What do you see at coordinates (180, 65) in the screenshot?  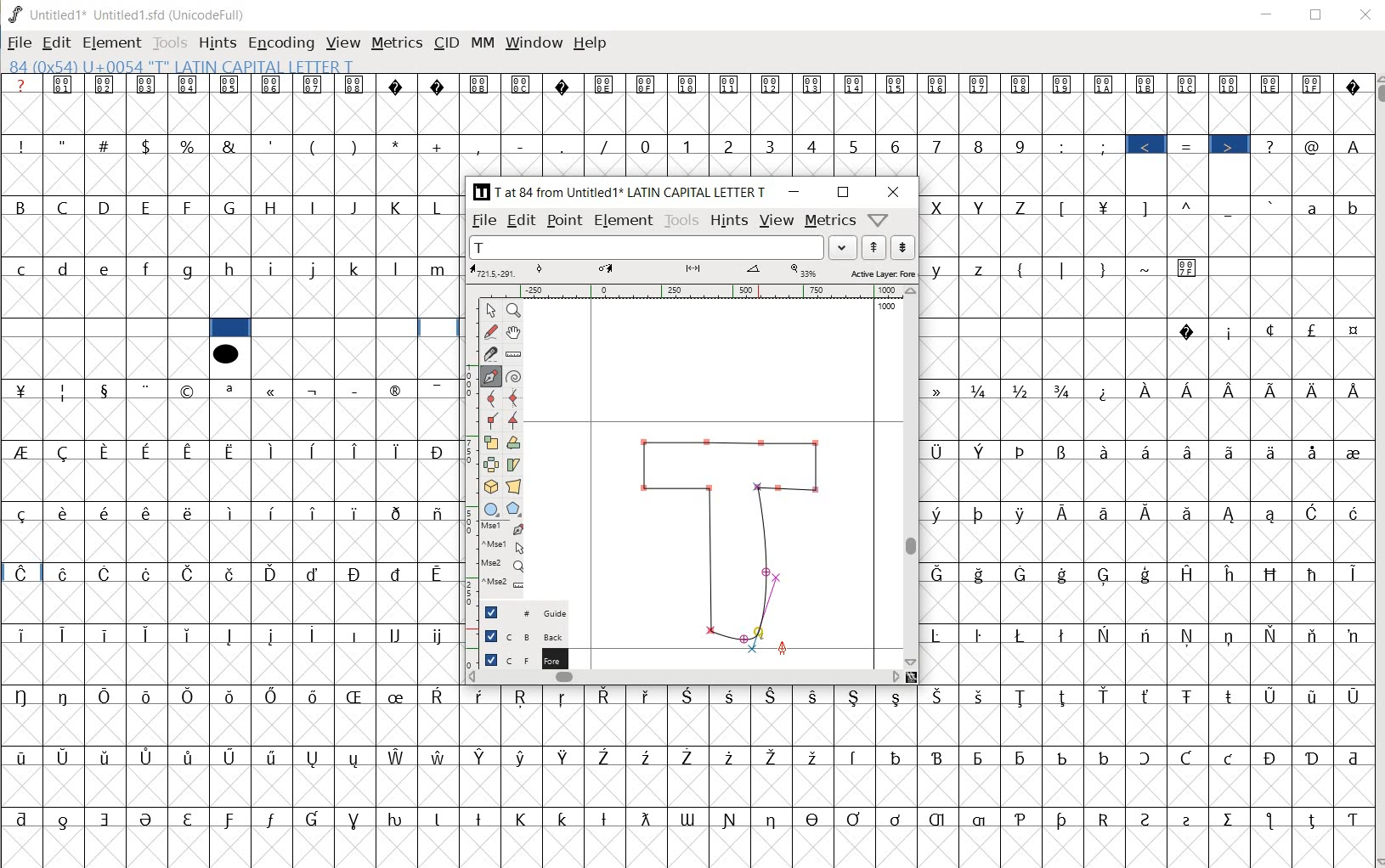 I see `glyph info` at bounding box center [180, 65].